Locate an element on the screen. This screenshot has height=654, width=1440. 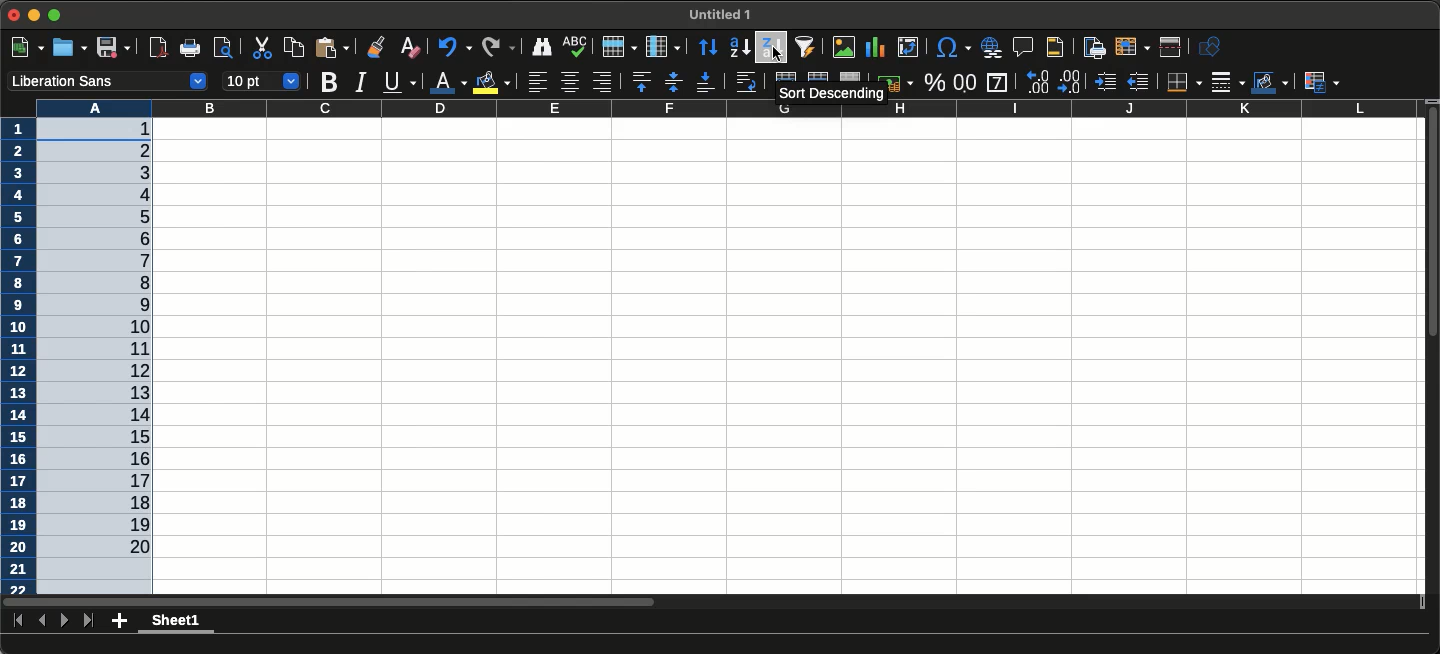
Align bottom is located at coordinates (703, 82).